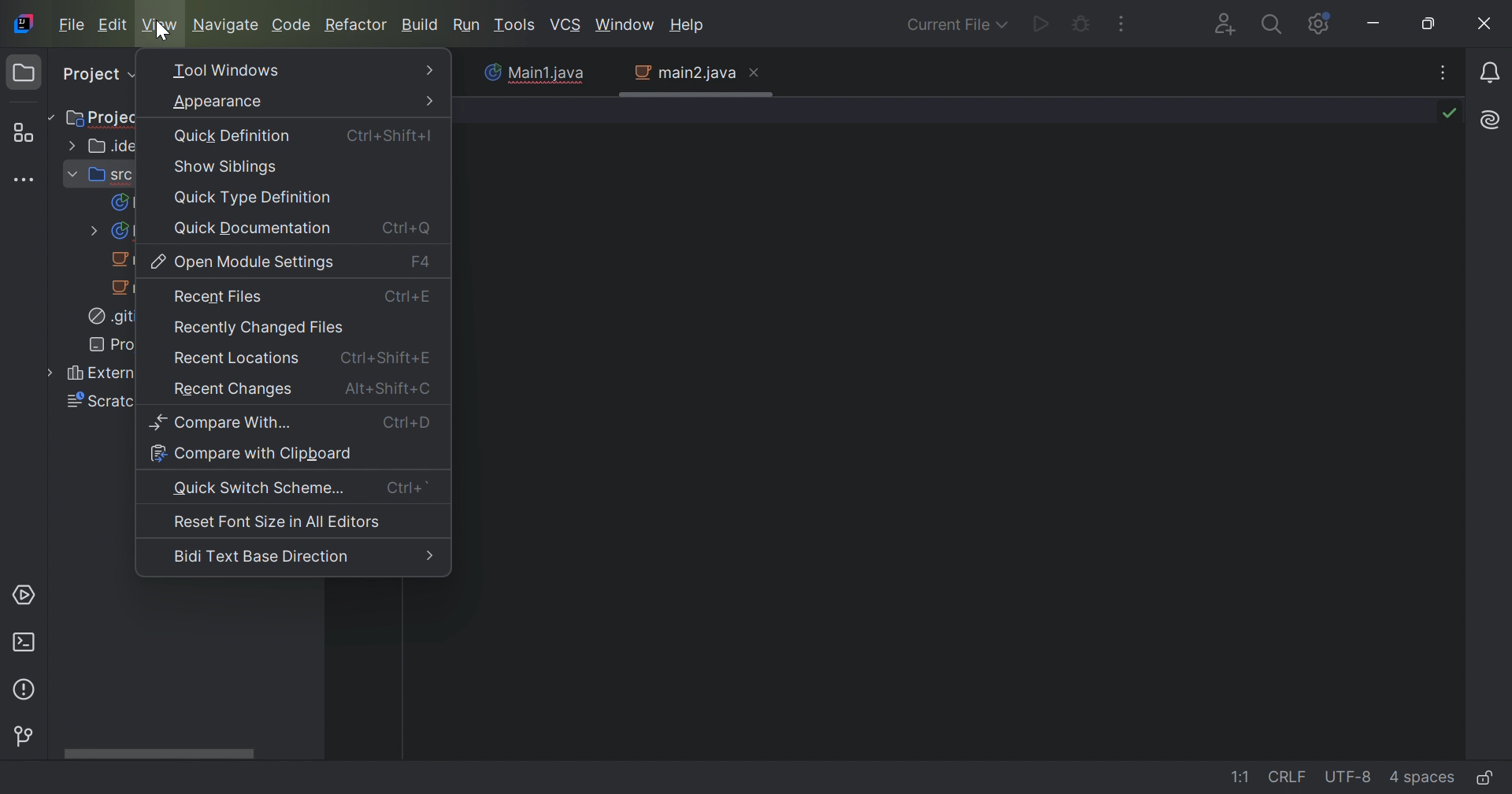 The width and height of the screenshot is (1512, 794). Describe the element at coordinates (1491, 121) in the screenshot. I see `AI Assistant` at that location.